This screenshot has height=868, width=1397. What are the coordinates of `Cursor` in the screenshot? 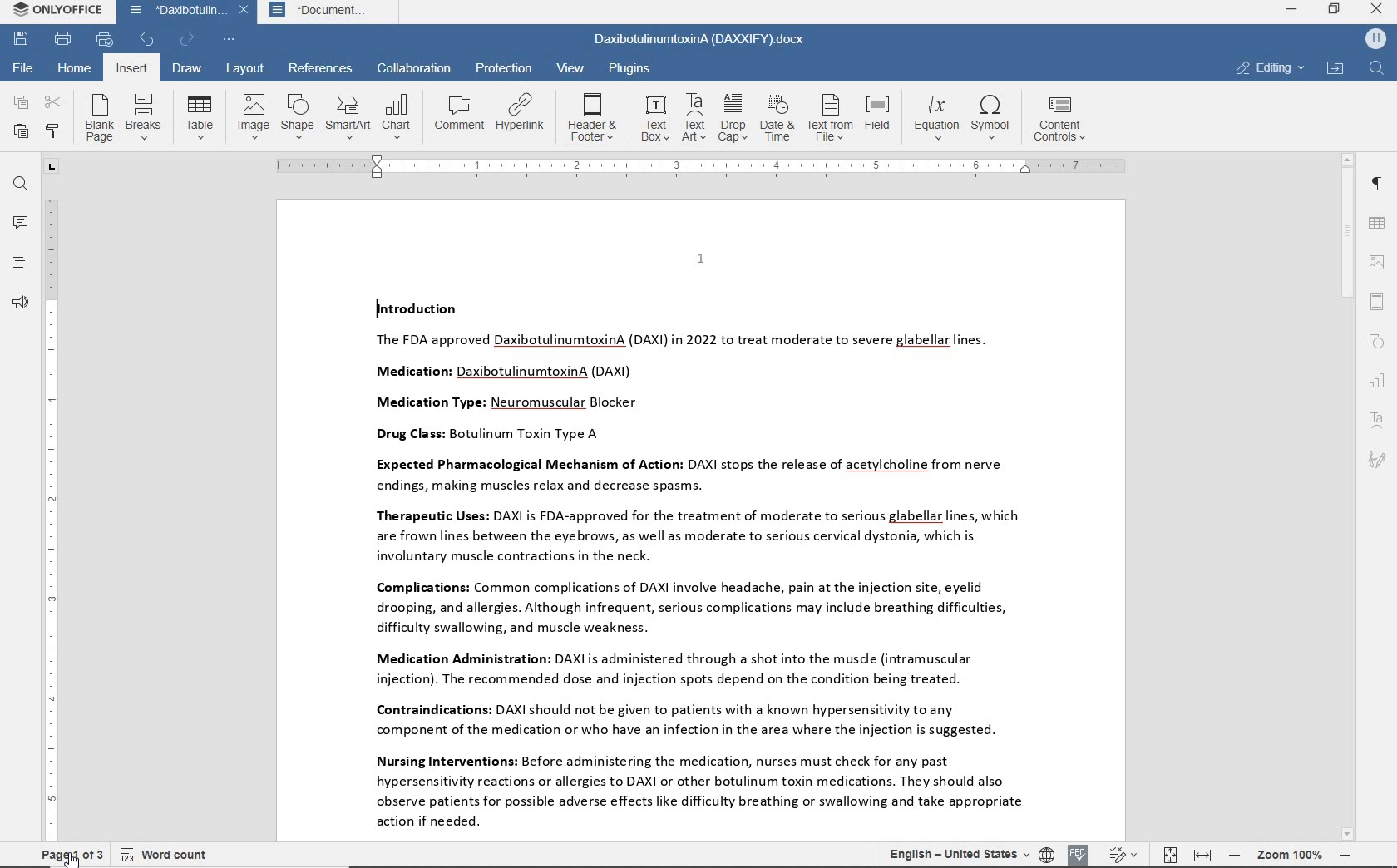 It's located at (72, 857).